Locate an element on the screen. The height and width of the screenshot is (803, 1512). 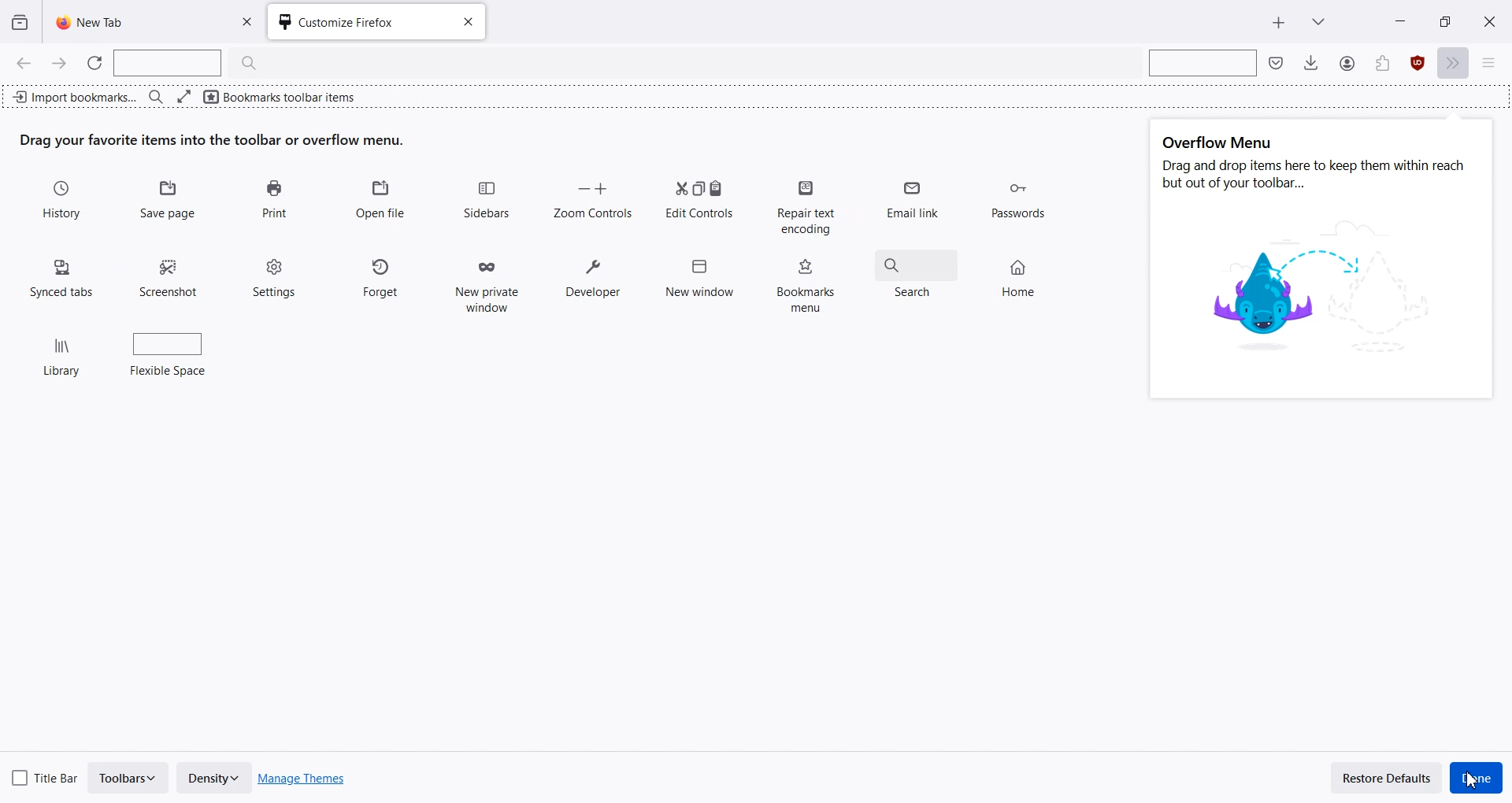
Customize Firefox is located at coordinates (355, 22).